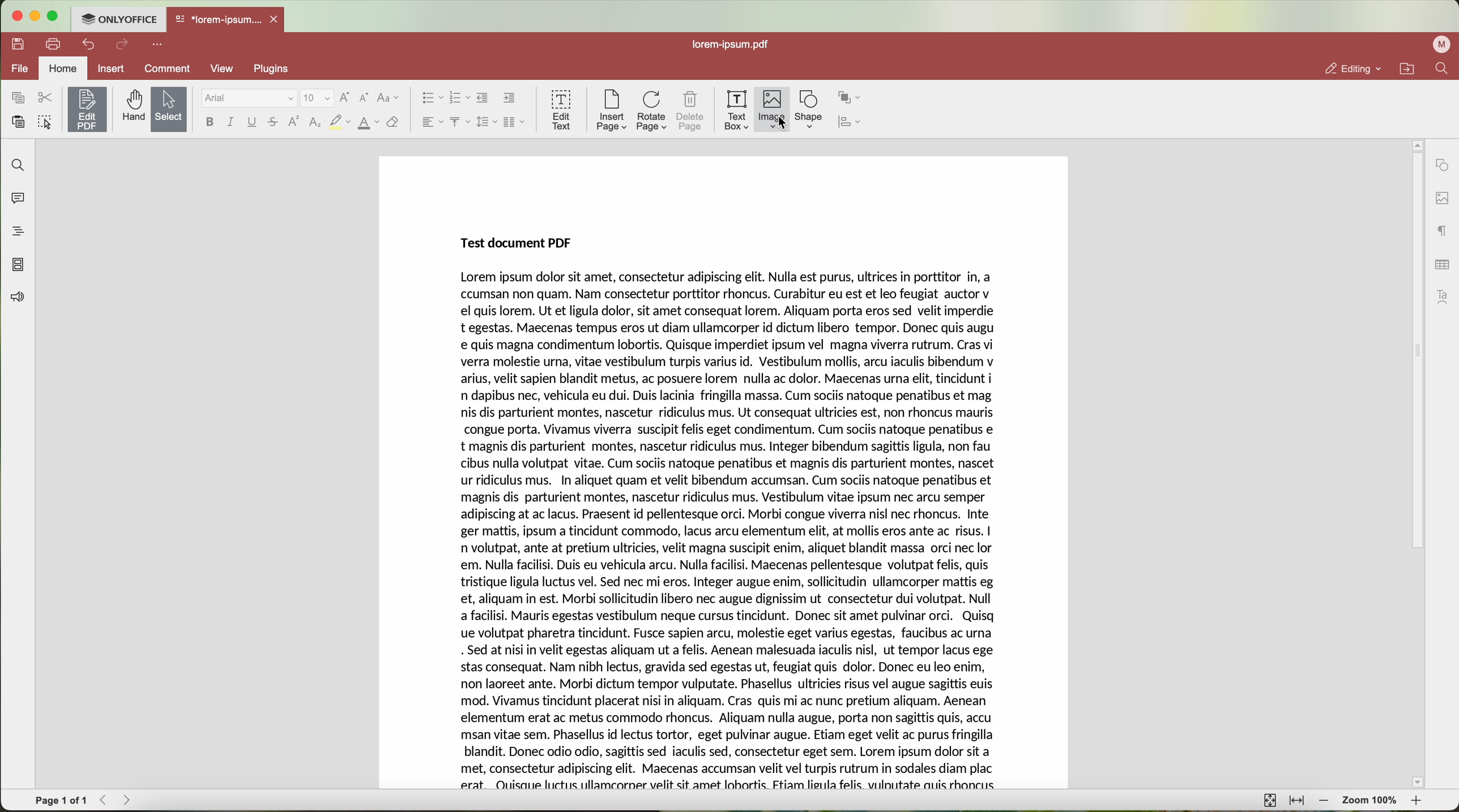 This screenshot has width=1459, height=812. What do you see at coordinates (16, 299) in the screenshot?
I see `feedback & support` at bounding box center [16, 299].